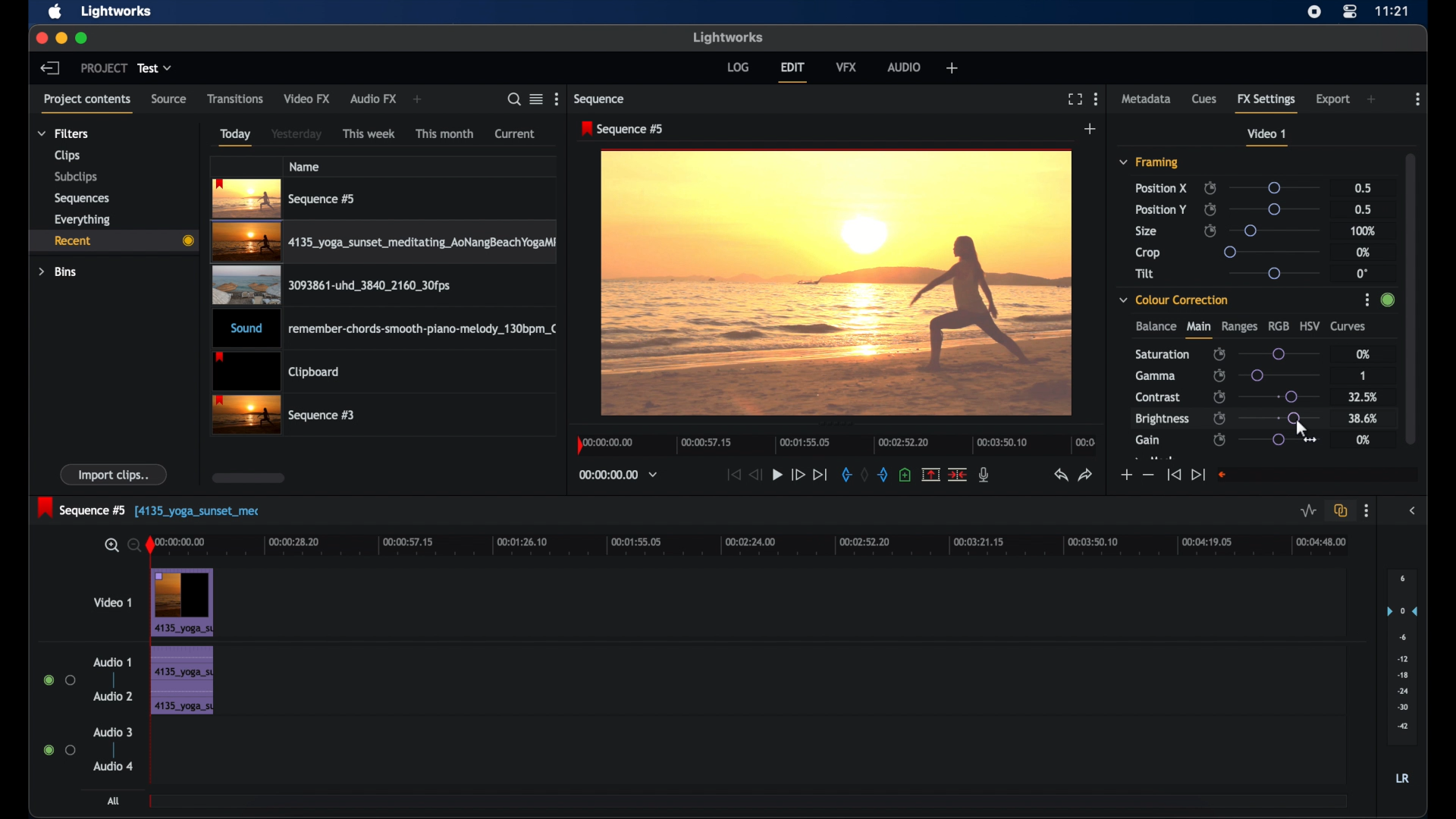  I want to click on slider, so click(1279, 417).